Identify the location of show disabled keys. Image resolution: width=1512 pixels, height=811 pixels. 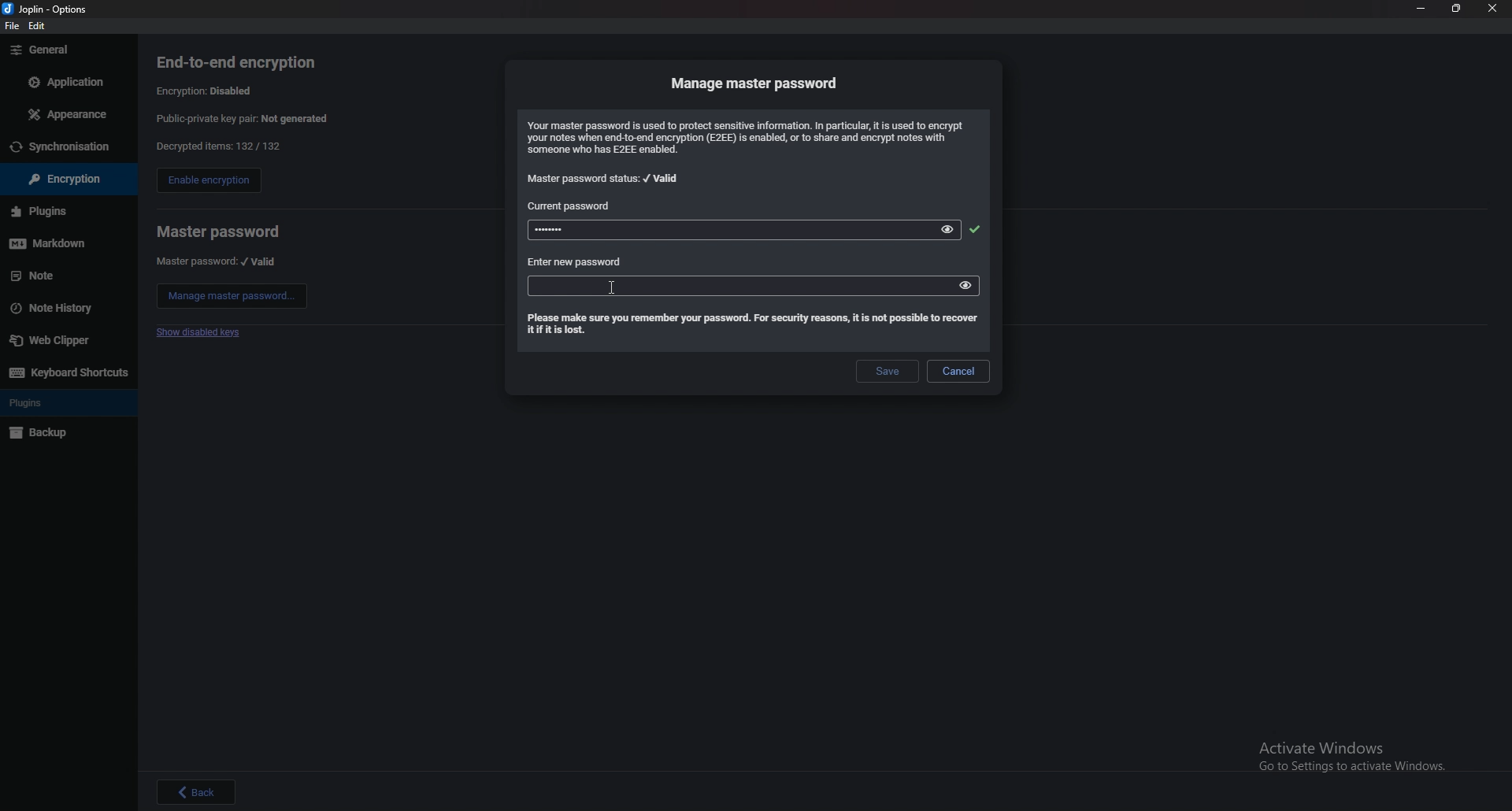
(202, 333).